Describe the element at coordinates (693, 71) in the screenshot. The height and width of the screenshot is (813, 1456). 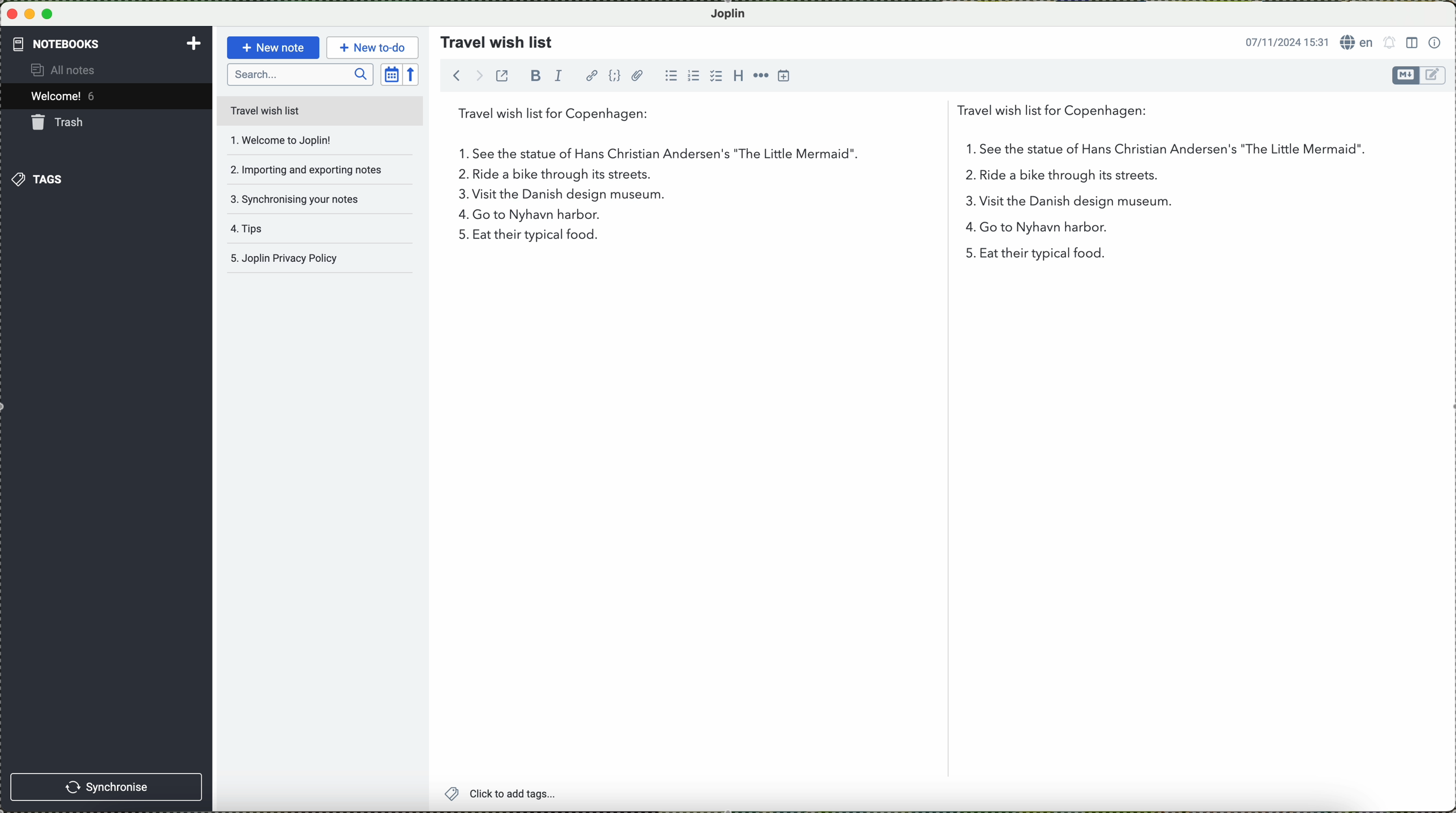
I see `numbered list` at that location.